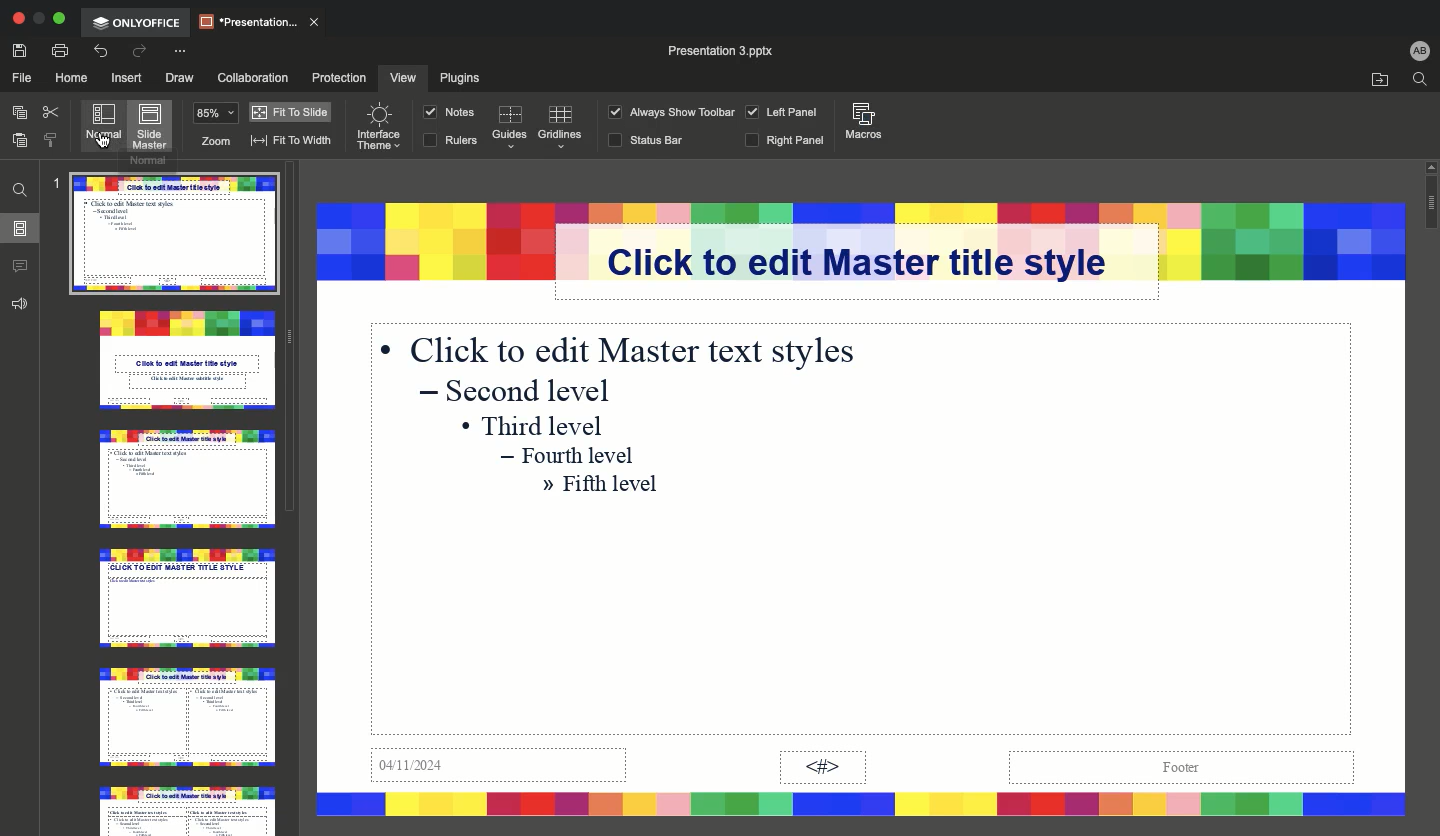 This screenshot has width=1440, height=836. What do you see at coordinates (822, 768) in the screenshot?
I see `<#>` at bounding box center [822, 768].